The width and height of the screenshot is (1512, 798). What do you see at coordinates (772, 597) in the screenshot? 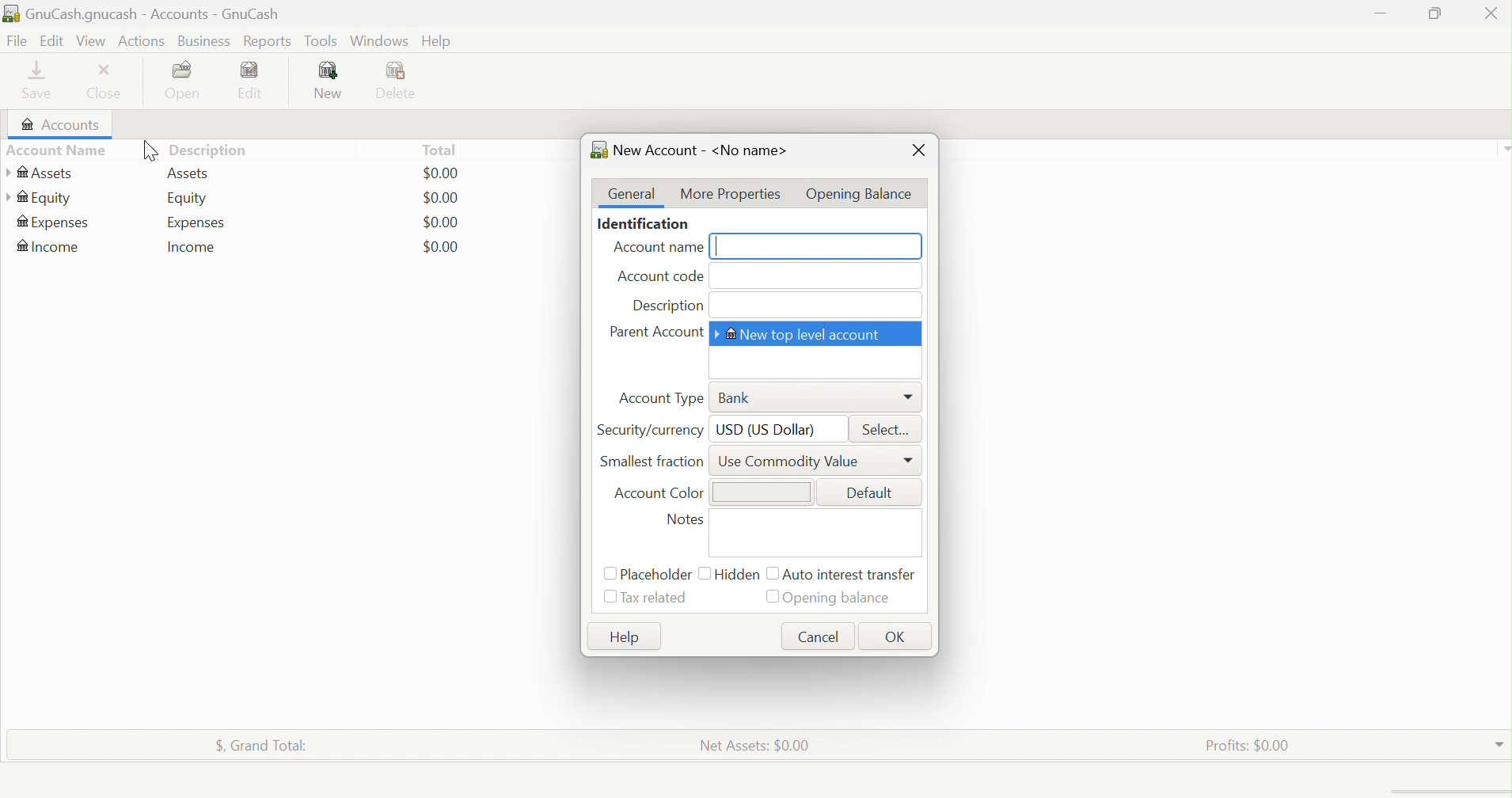
I see `Checkbox` at bounding box center [772, 597].